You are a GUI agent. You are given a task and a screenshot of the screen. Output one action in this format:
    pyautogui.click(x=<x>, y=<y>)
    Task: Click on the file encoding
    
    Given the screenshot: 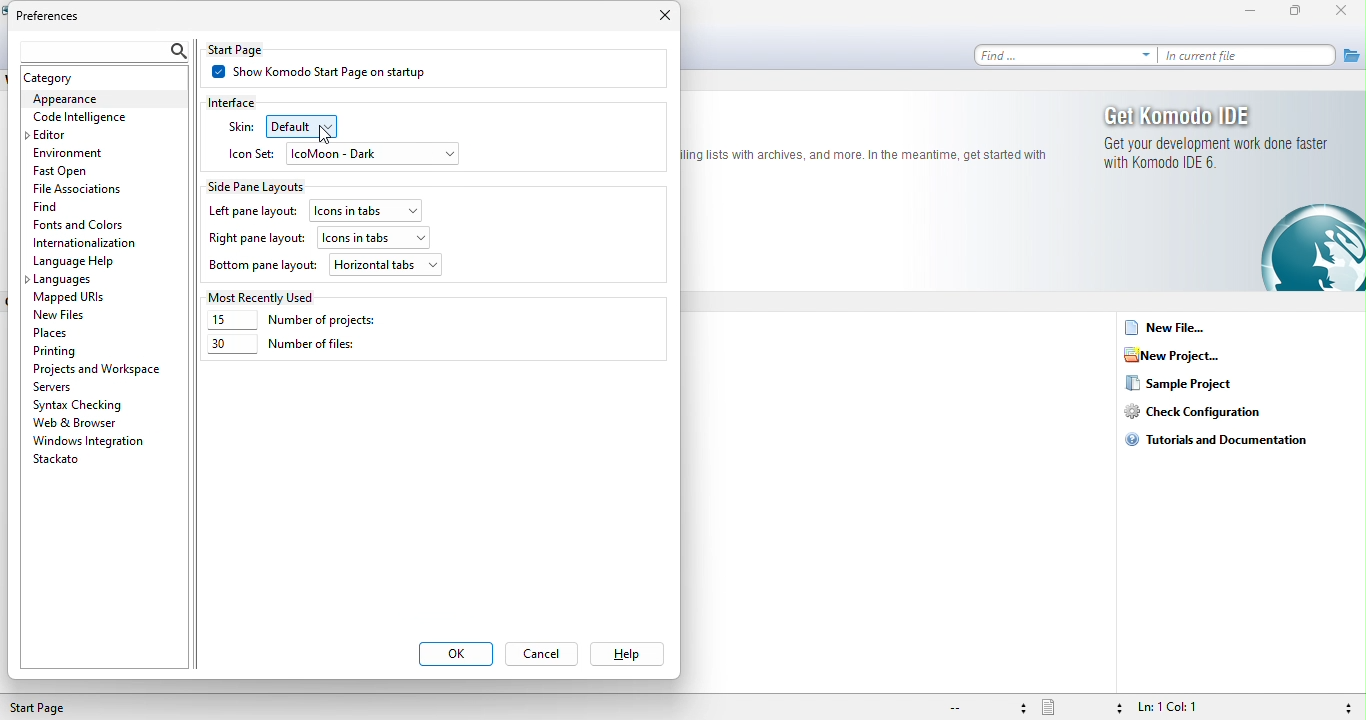 What is the action you would take?
    pyautogui.click(x=985, y=708)
    